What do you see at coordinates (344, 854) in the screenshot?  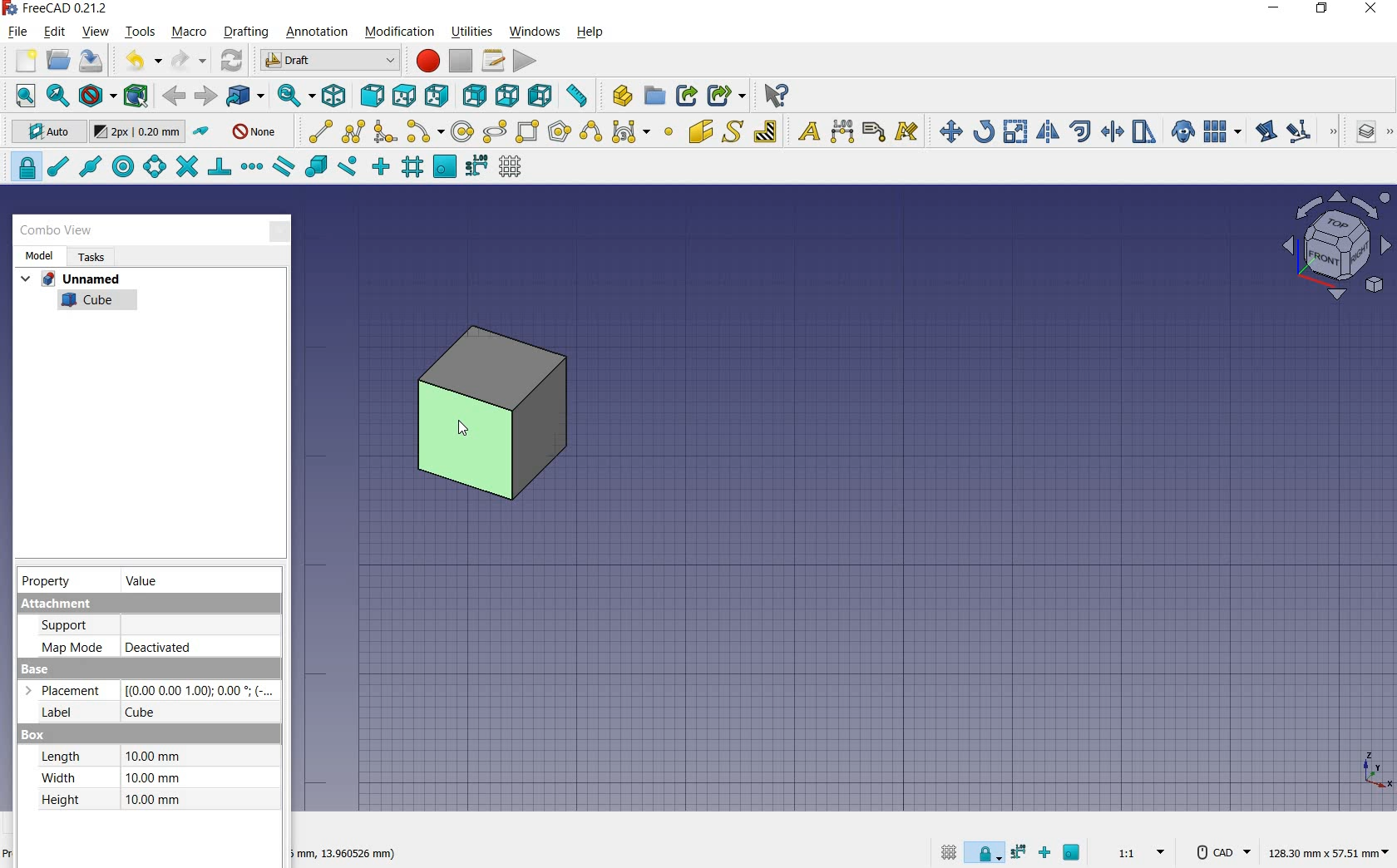 I see `dimension` at bounding box center [344, 854].